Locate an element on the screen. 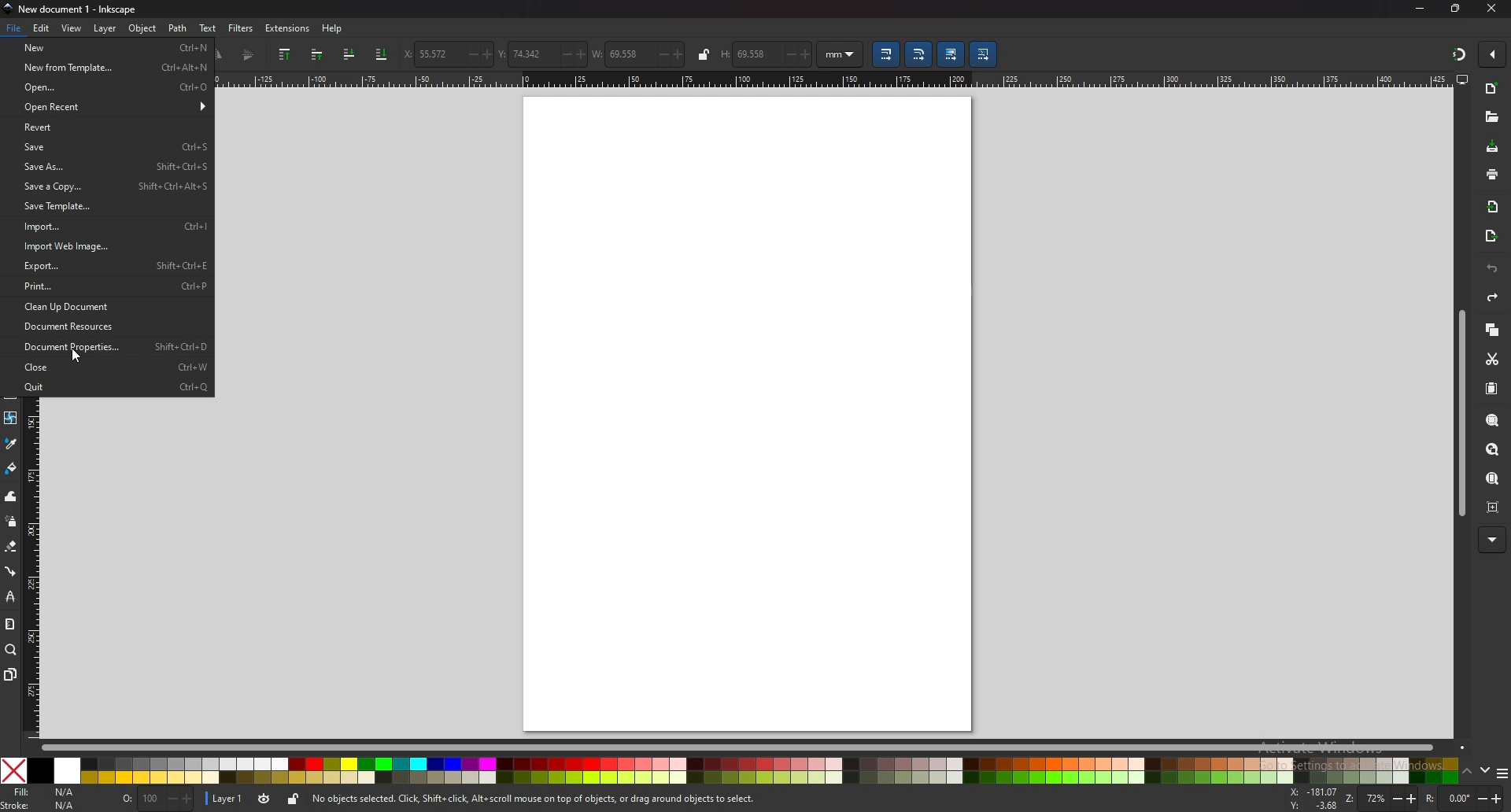  quit is located at coordinates (112, 388).